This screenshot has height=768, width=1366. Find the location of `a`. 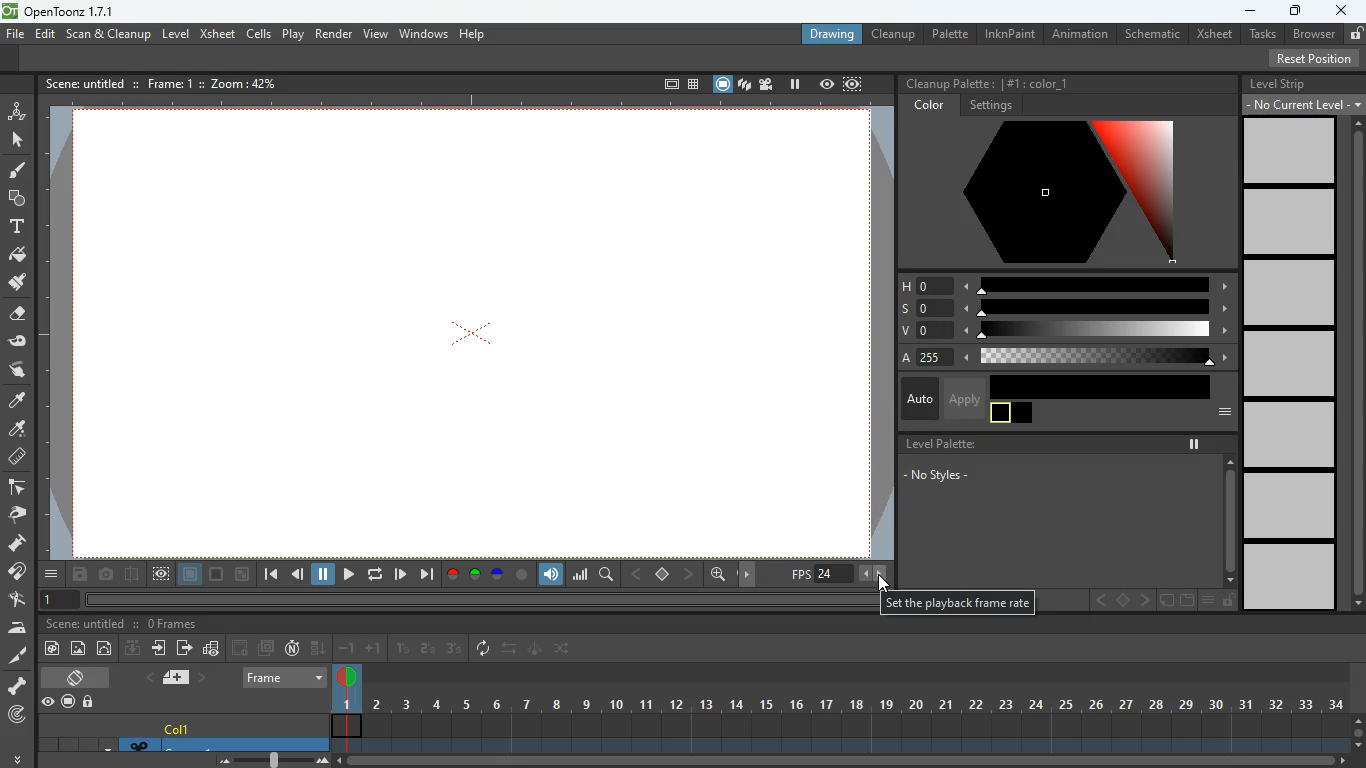

a is located at coordinates (1053, 359).